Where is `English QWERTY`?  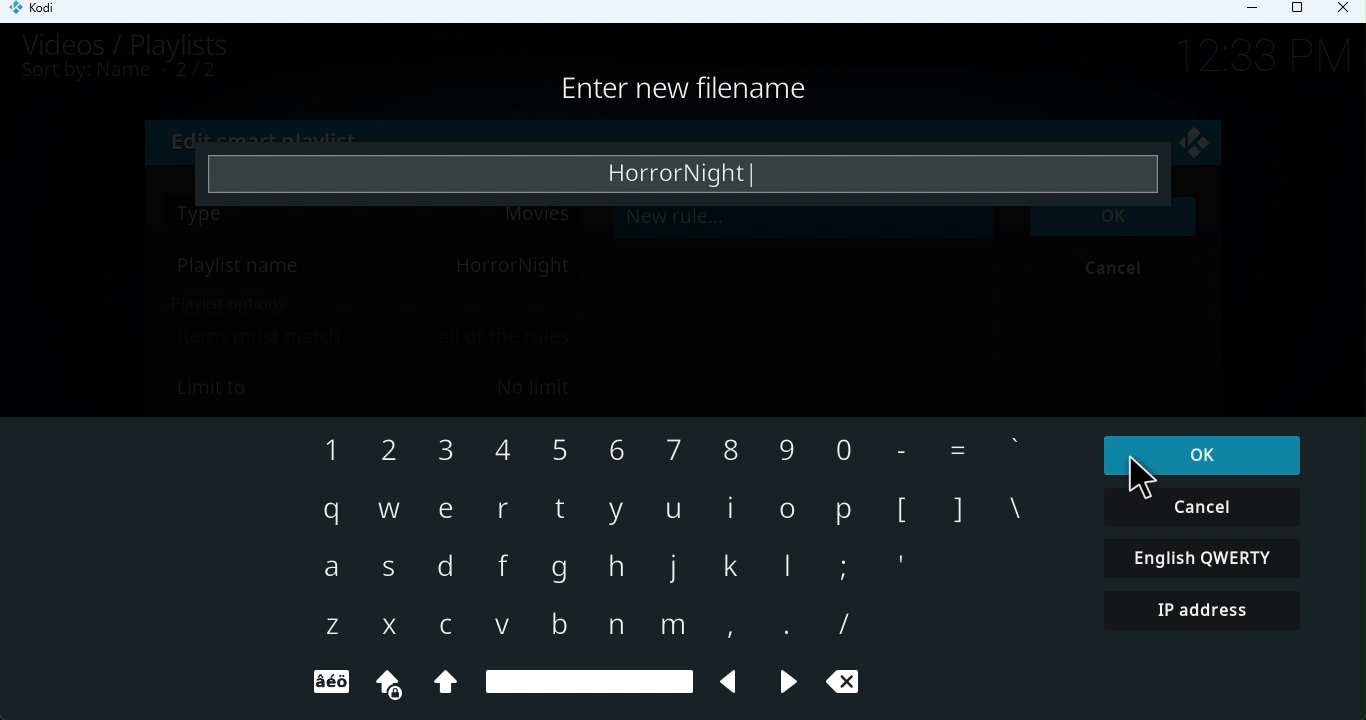
English QWERTY is located at coordinates (1204, 557).